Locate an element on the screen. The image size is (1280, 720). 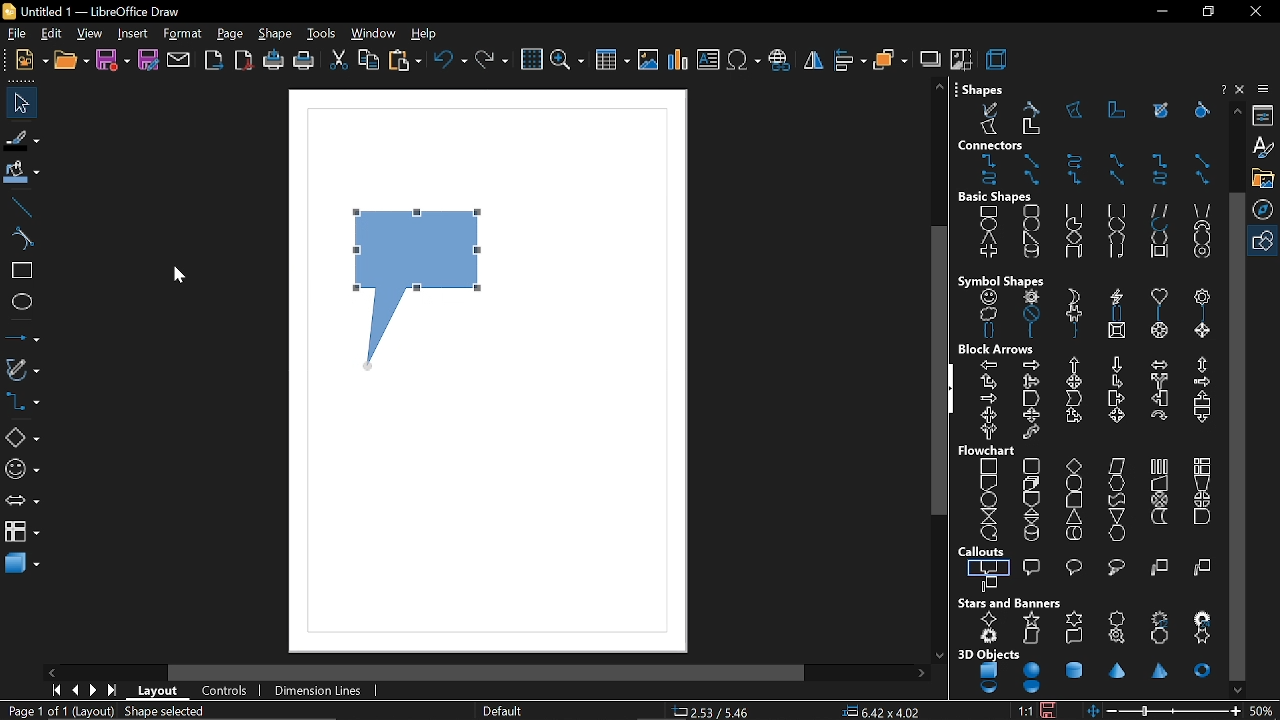
connector ends with arrow is located at coordinates (990, 161).